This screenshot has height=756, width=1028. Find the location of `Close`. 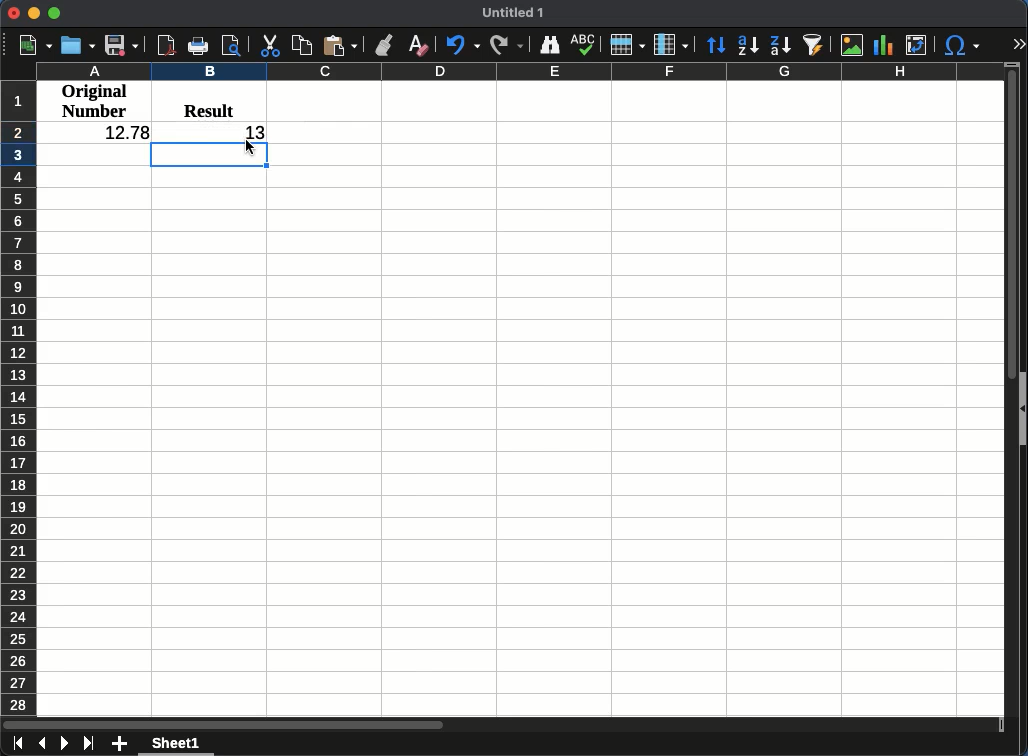

Close is located at coordinates (14, 13).